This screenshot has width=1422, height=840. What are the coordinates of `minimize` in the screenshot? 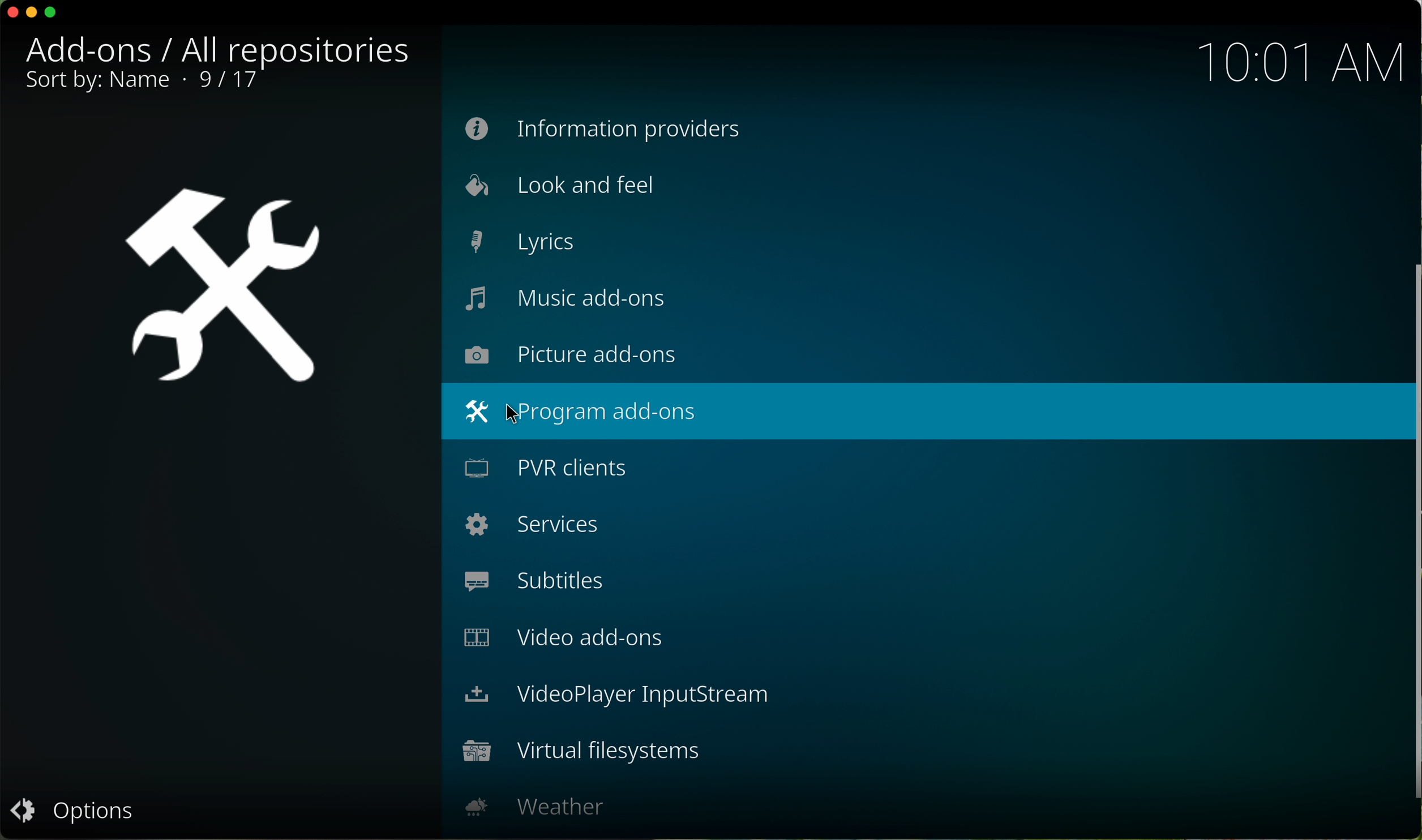 It's located at (32, 16).